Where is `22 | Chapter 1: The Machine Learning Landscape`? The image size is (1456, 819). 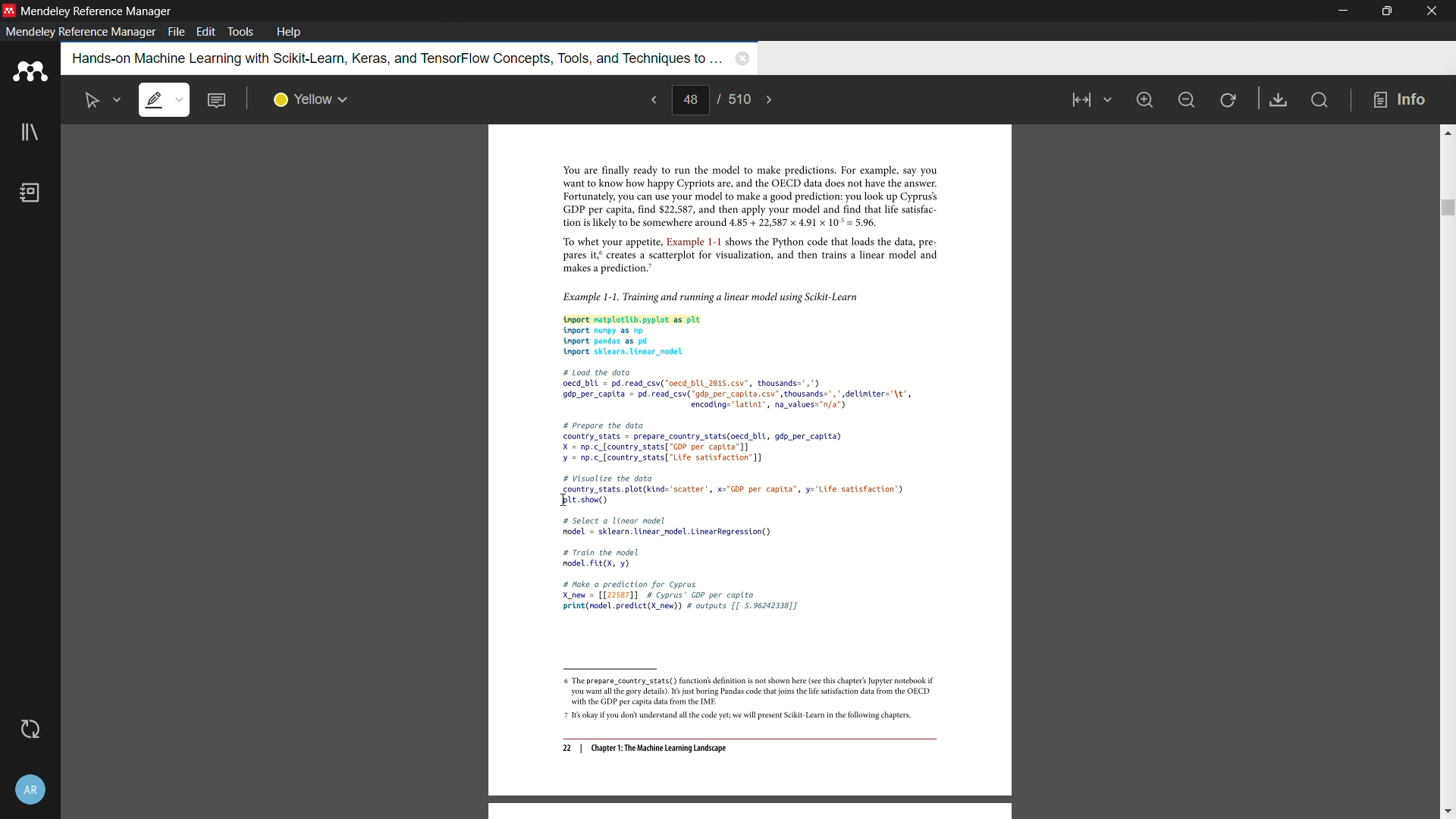
22 | Chapter 1: The Machine Learning Landscape is located at coordinates (645, 749).